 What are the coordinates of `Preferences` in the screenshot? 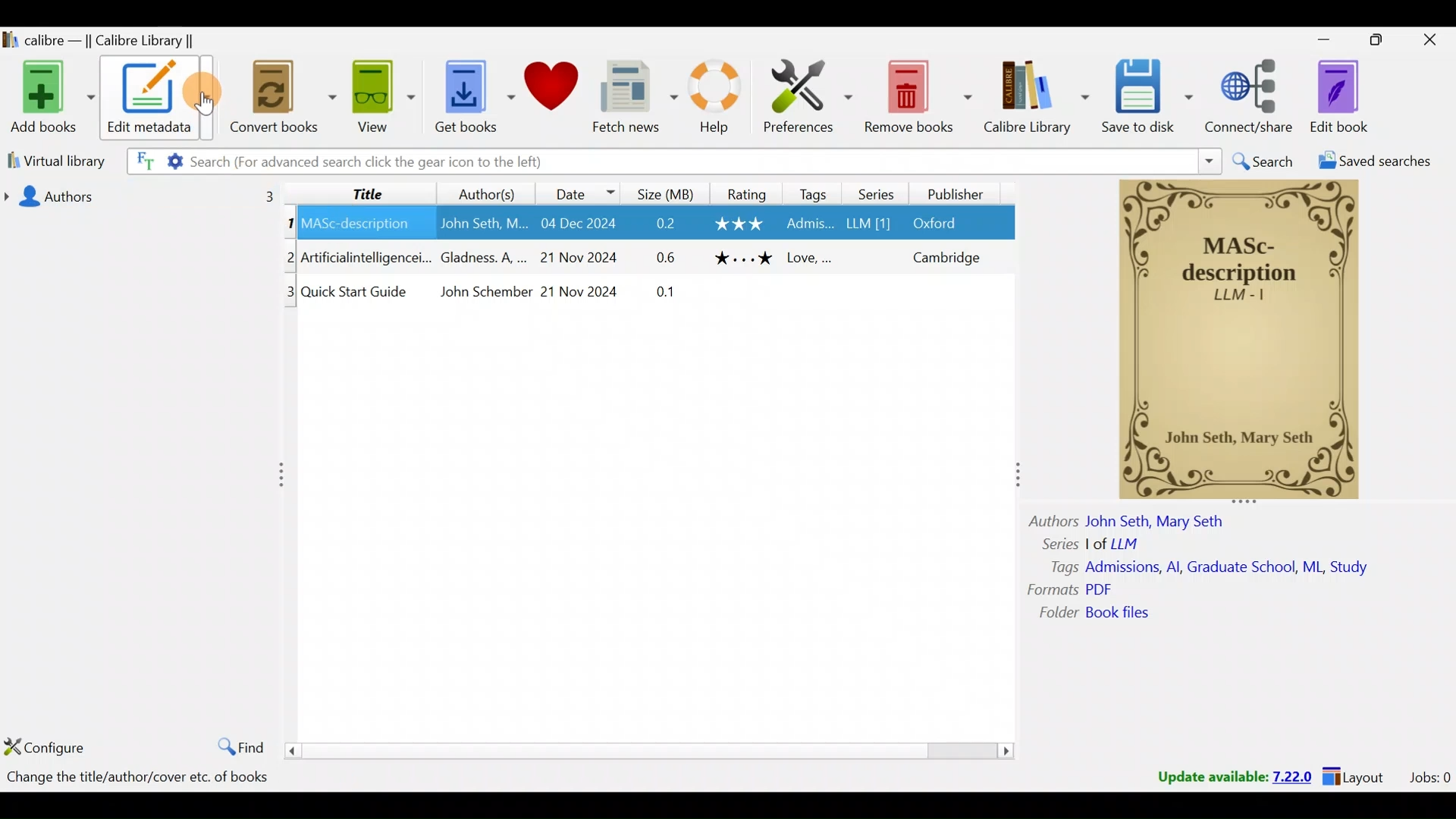 It's located at (808, 96).